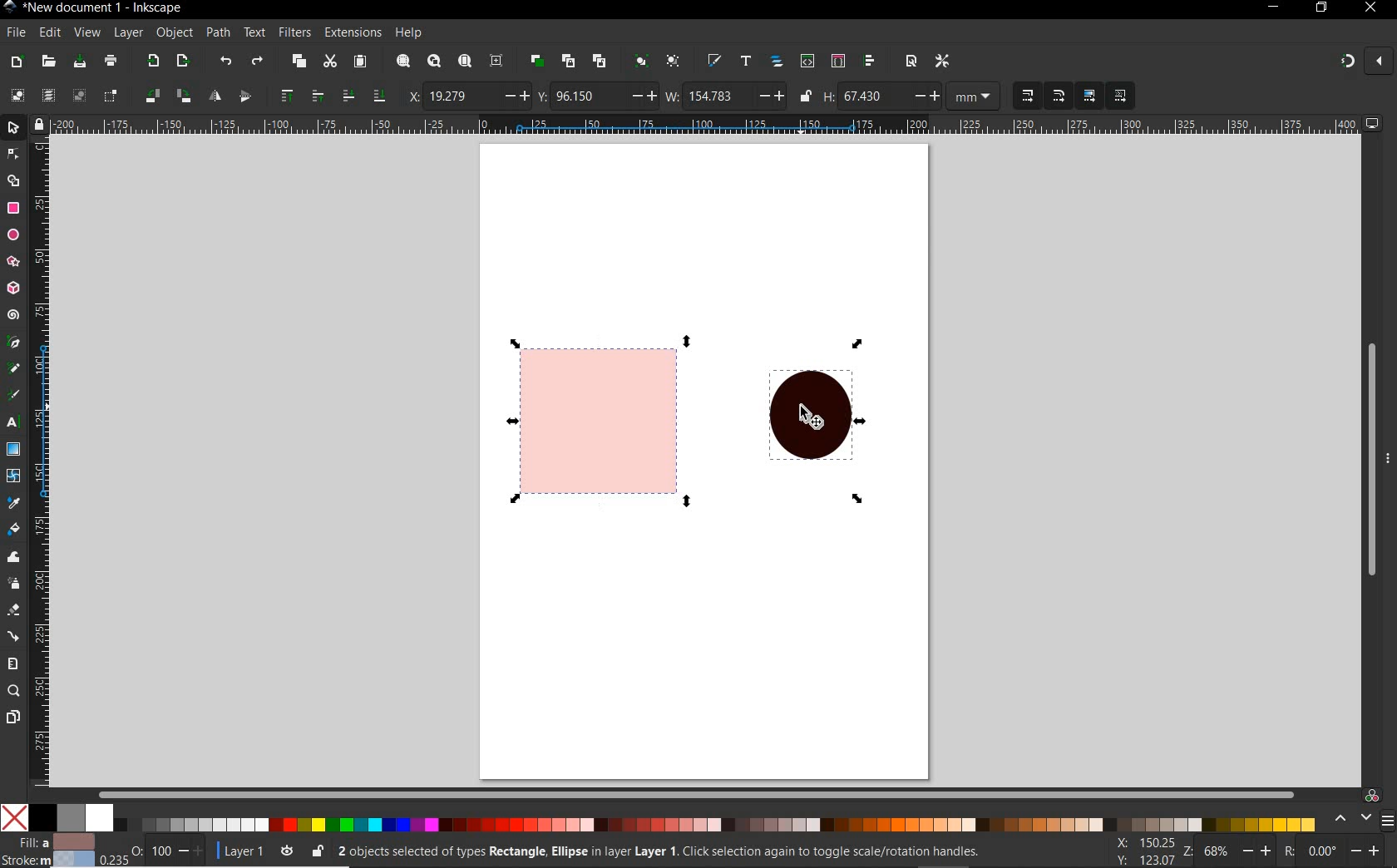 Image resolution: width=1397 pixels, height=868 pixels. I want to click on paint bucket tool, so click(13, 528).